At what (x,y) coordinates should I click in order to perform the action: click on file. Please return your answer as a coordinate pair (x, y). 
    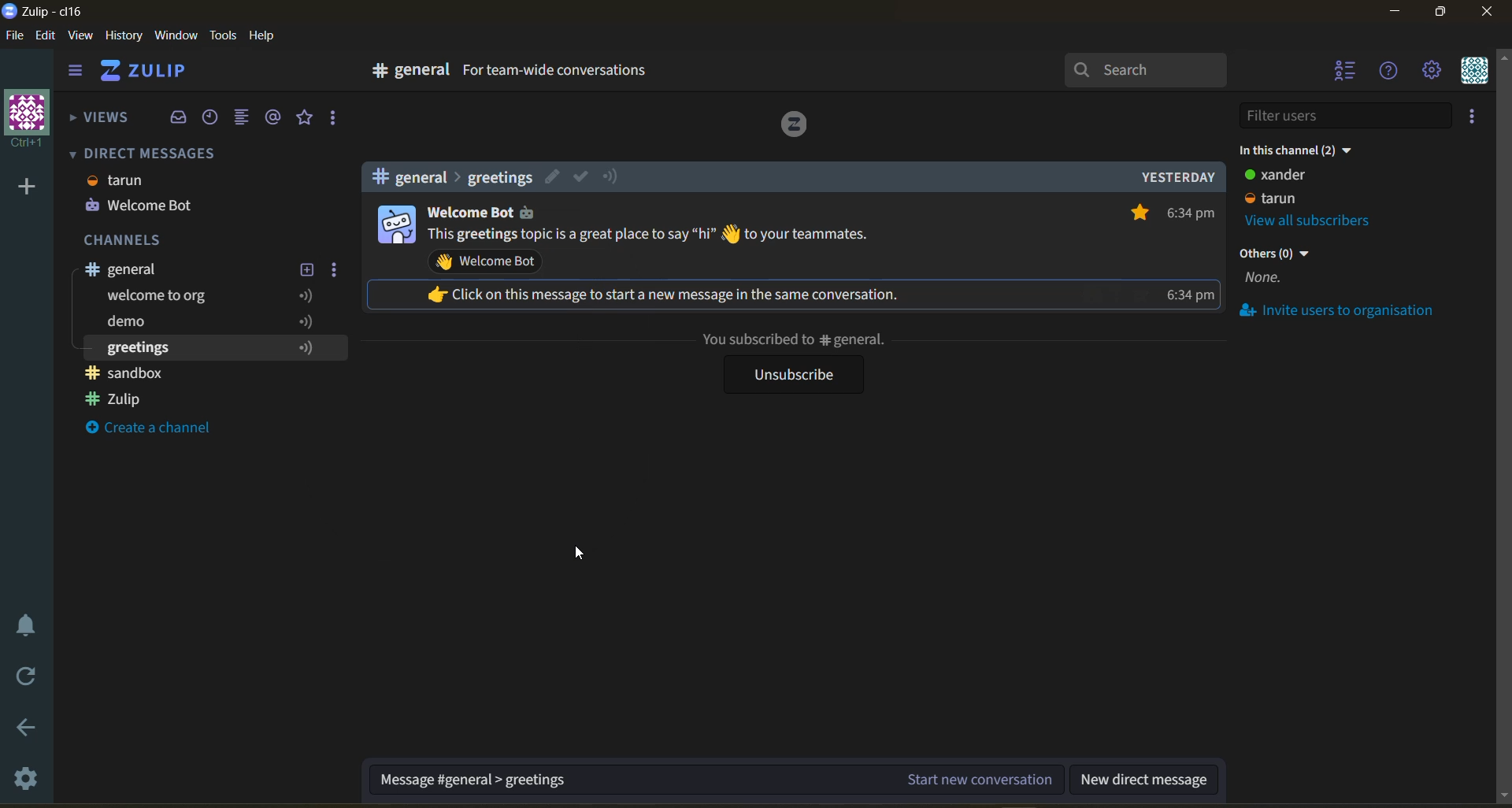
    Looking at the image, I should click on (15, 37).